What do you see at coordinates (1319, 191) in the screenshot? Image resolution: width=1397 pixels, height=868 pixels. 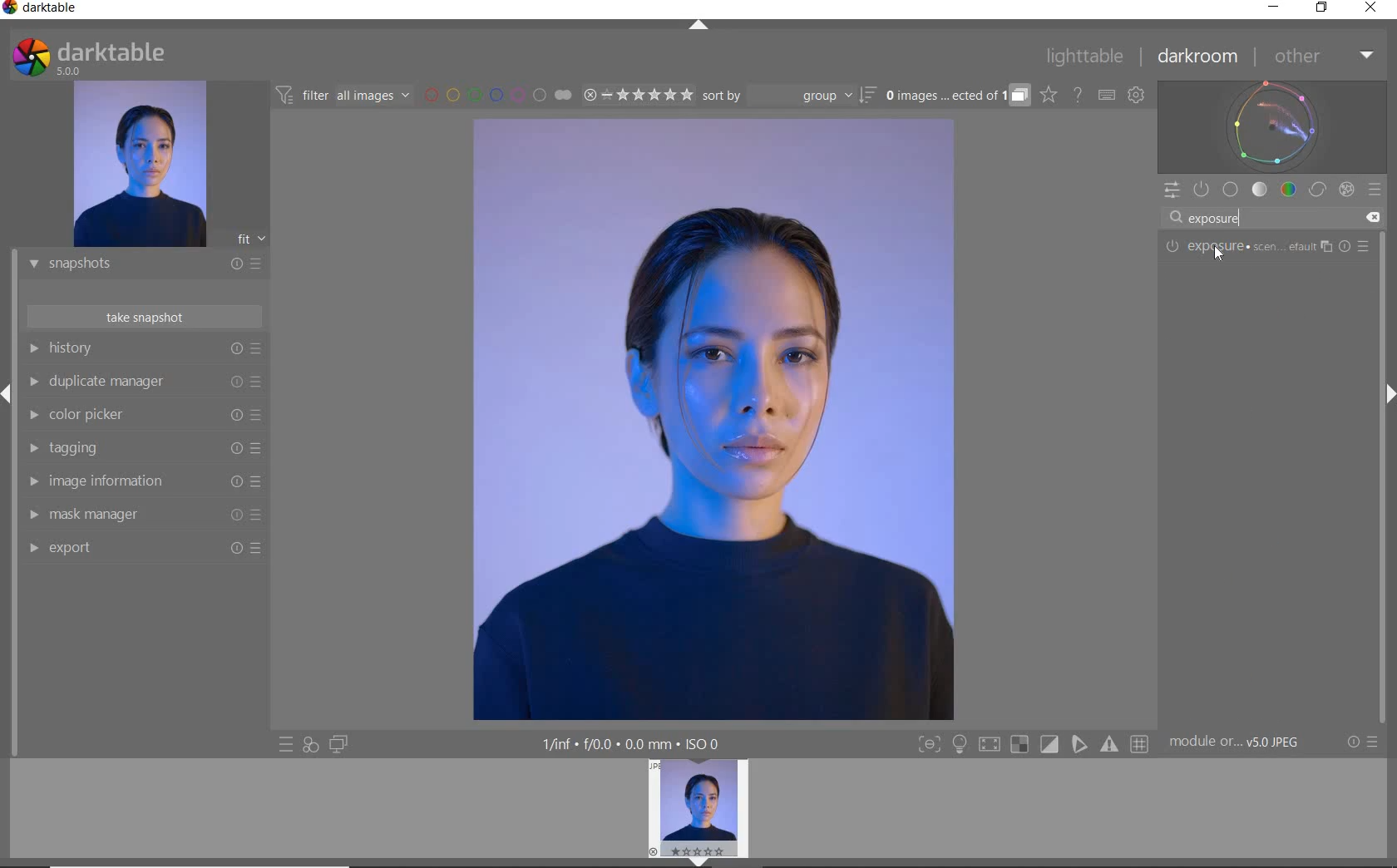 I see `CORRECT` at bounding box center [1319, 191].